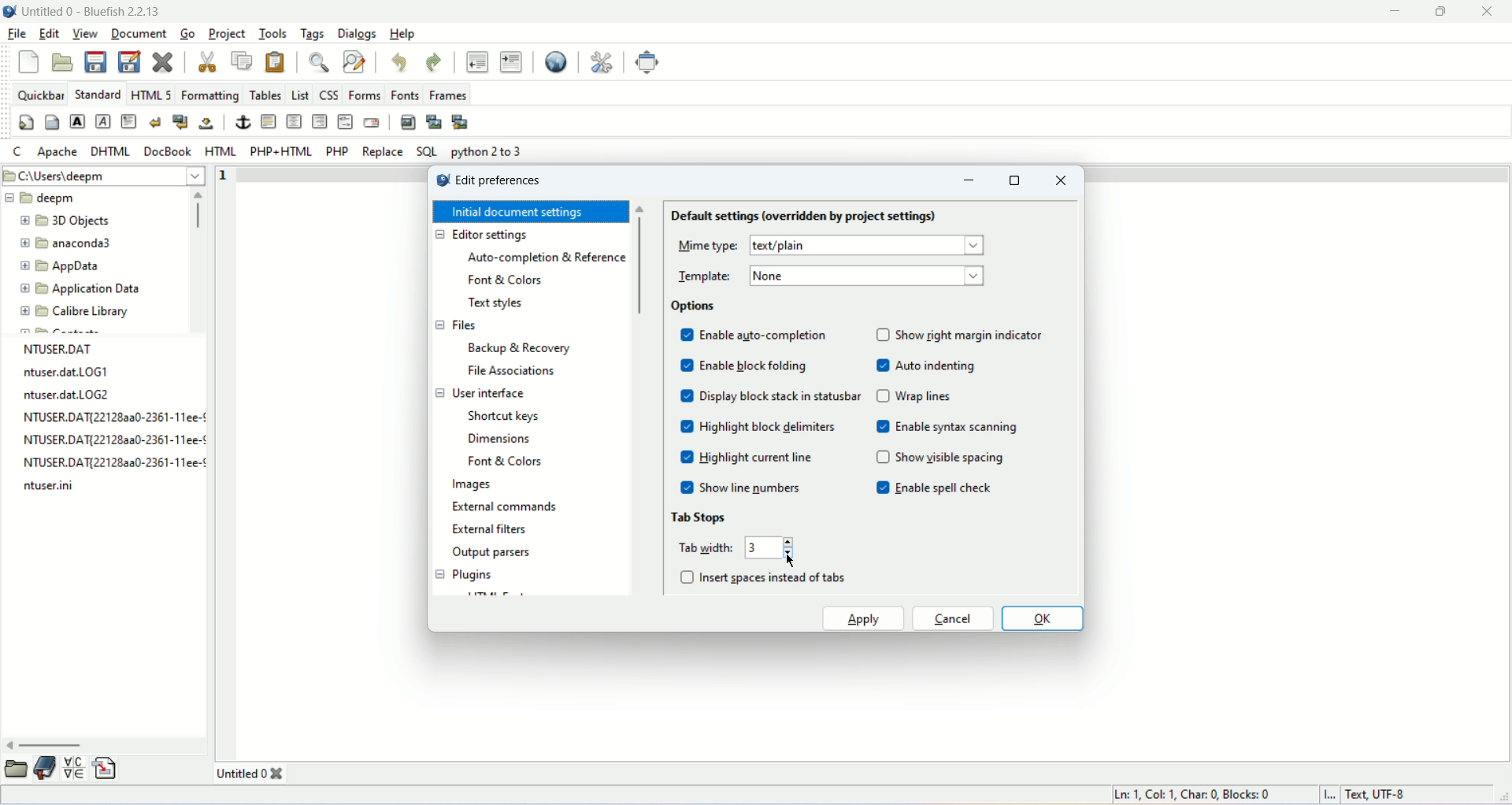  I want to click on font and colors, so click(509, 280).